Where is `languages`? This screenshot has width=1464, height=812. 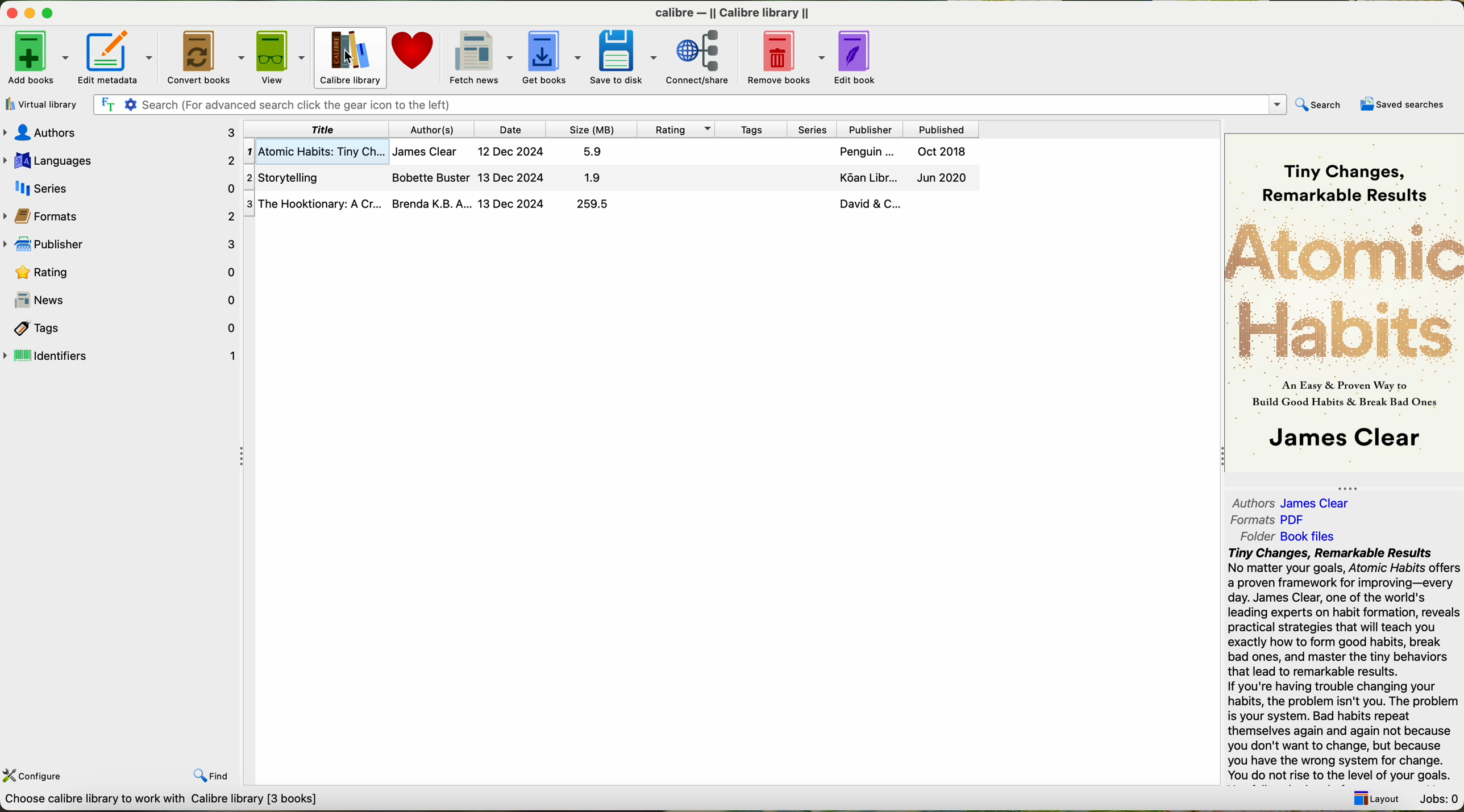 languages is located at coordinates (120, 159).